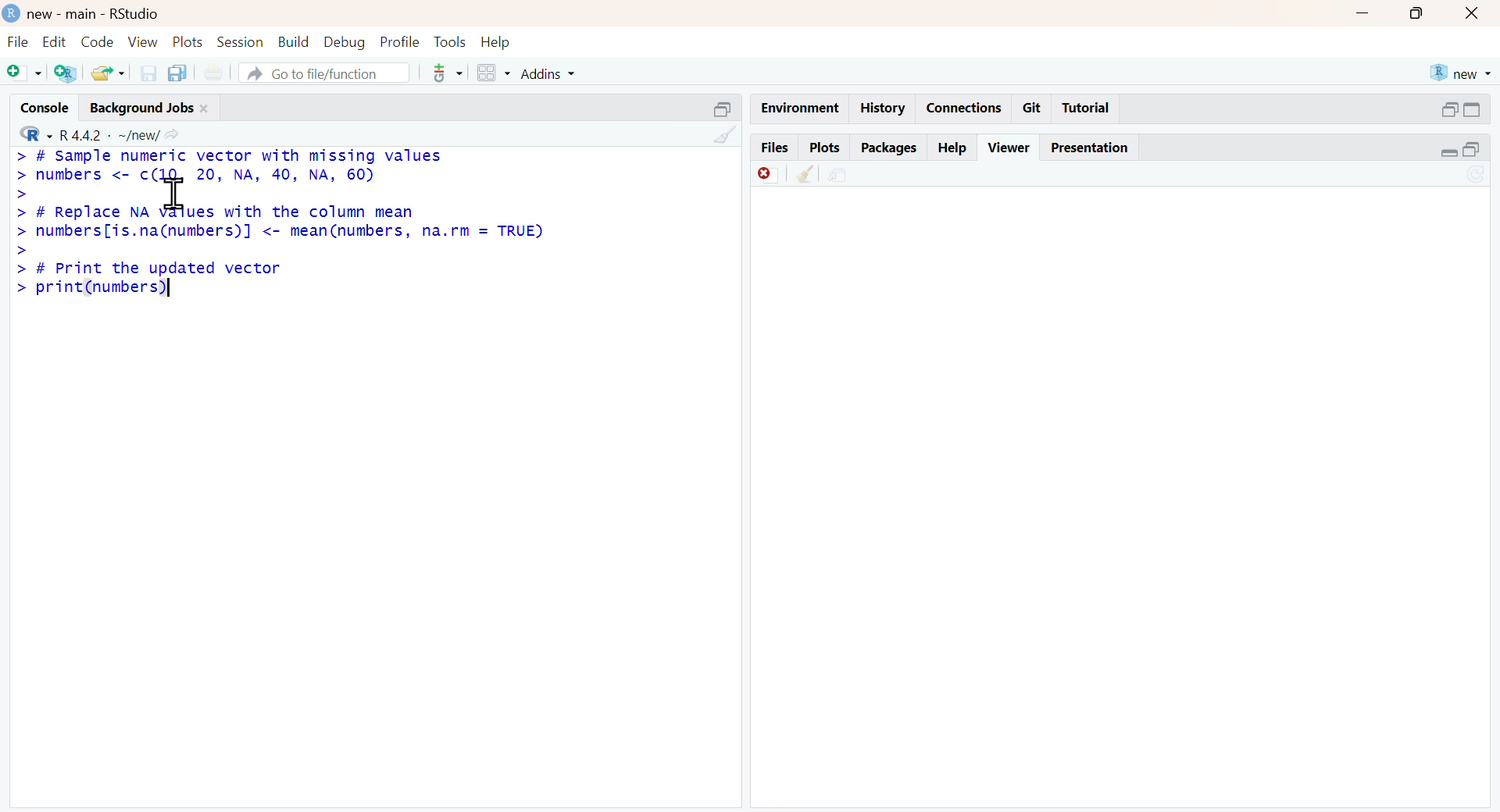 The image size is (1500, 812). What do you see at coordinates (768, 175) in the screenshot?
I see `Discard ` at bounding box center [768, 175].